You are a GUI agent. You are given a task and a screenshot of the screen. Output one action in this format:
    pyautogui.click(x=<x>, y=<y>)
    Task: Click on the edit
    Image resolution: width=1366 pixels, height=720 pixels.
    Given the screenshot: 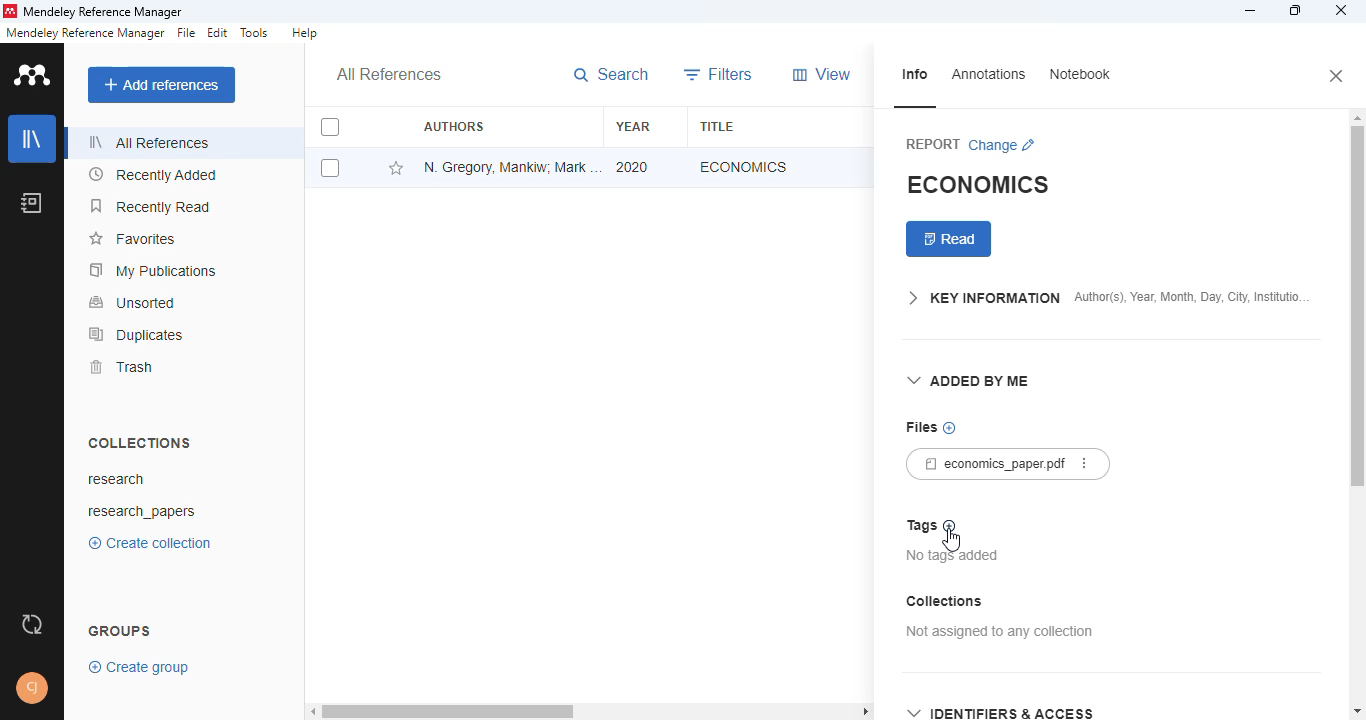 What is the action you would take?
    pyautogui.click(x=219, y=32)
    